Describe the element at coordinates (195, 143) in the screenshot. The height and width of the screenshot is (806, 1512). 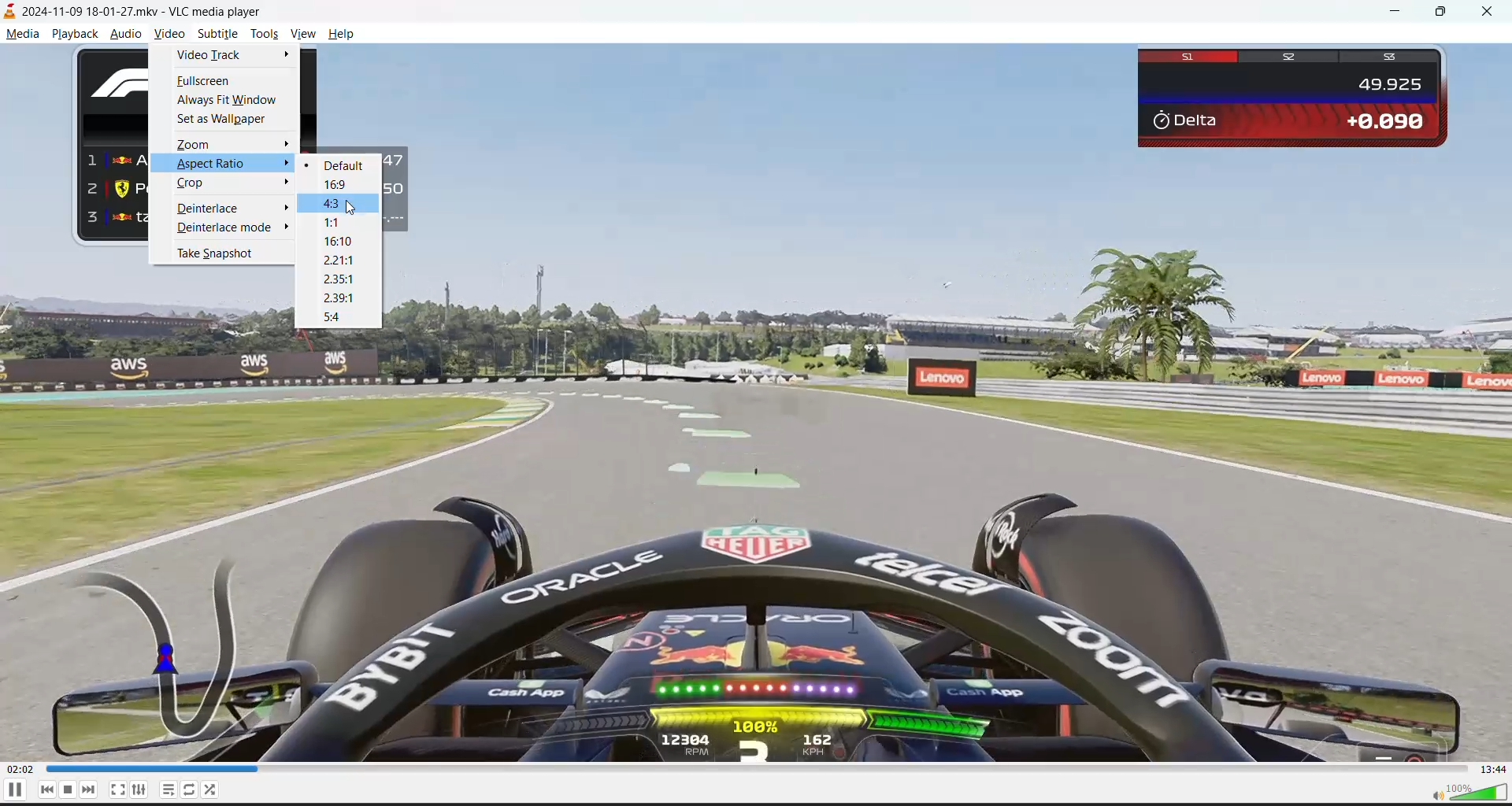
I see `zoom` at that location.